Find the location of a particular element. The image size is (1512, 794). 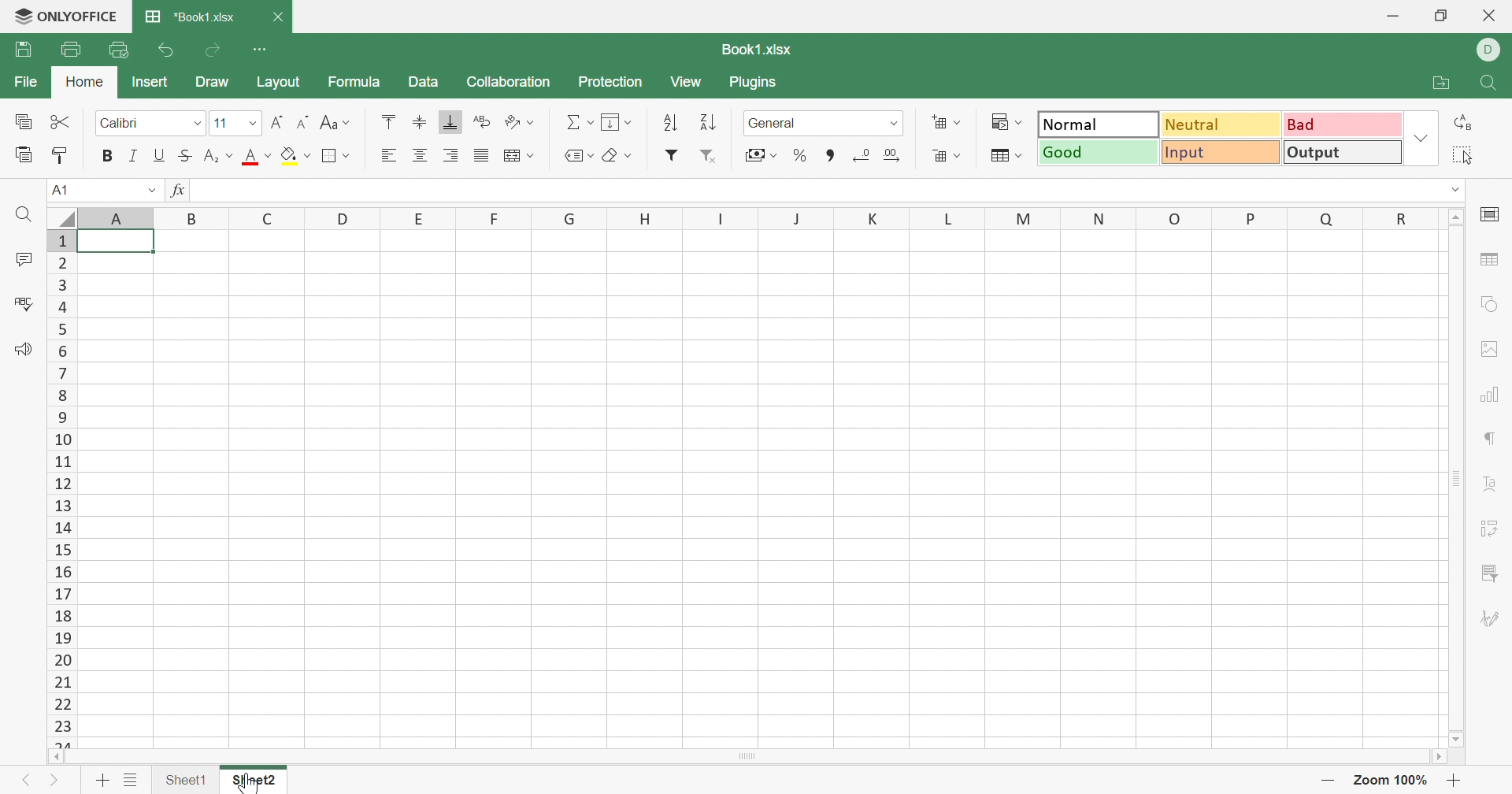

Previous is located at coordinates (26, 777).